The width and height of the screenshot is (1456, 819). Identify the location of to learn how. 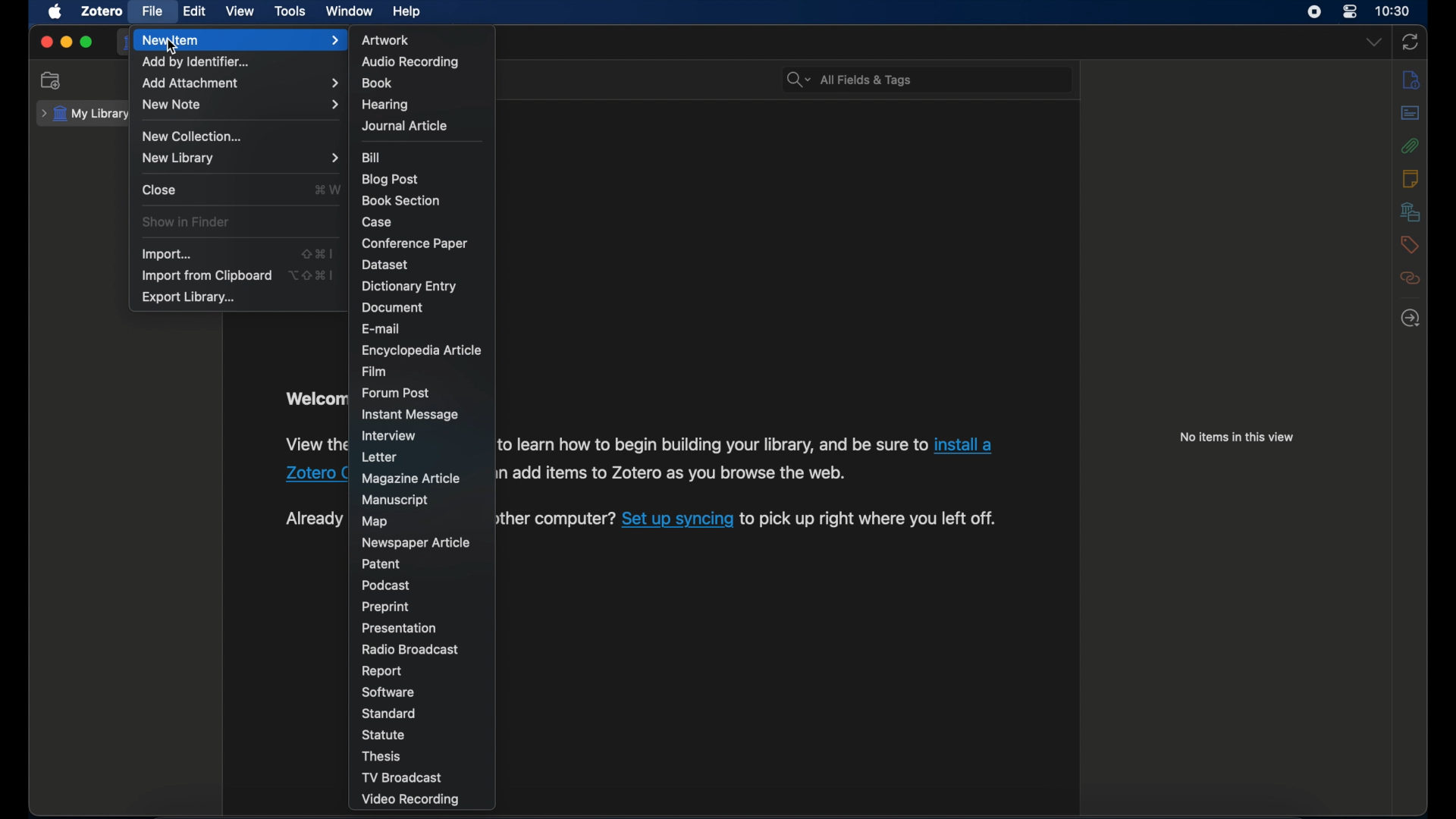
(711, 444).